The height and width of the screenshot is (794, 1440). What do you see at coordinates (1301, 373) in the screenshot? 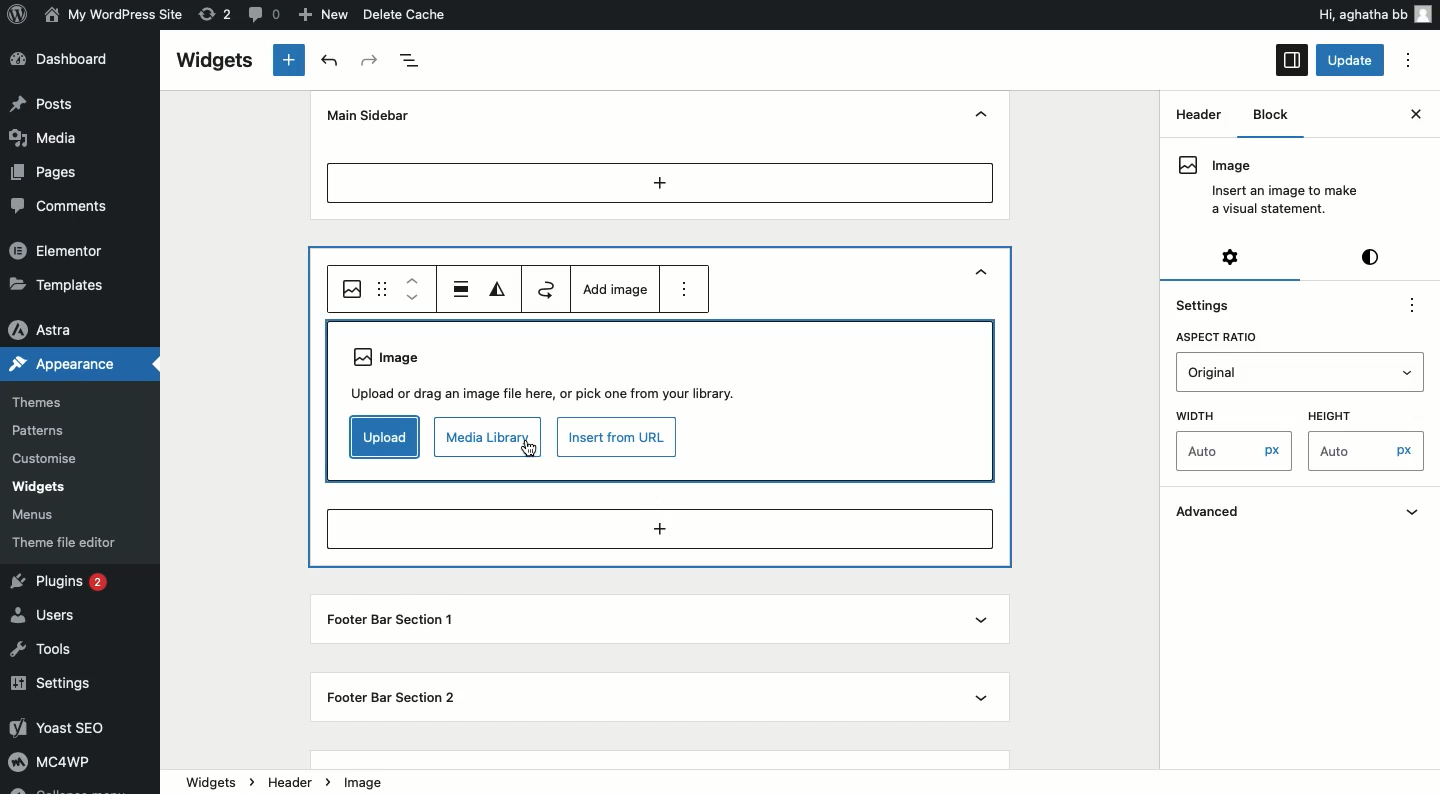
I see `Original` at bounding box center [1301, 373].